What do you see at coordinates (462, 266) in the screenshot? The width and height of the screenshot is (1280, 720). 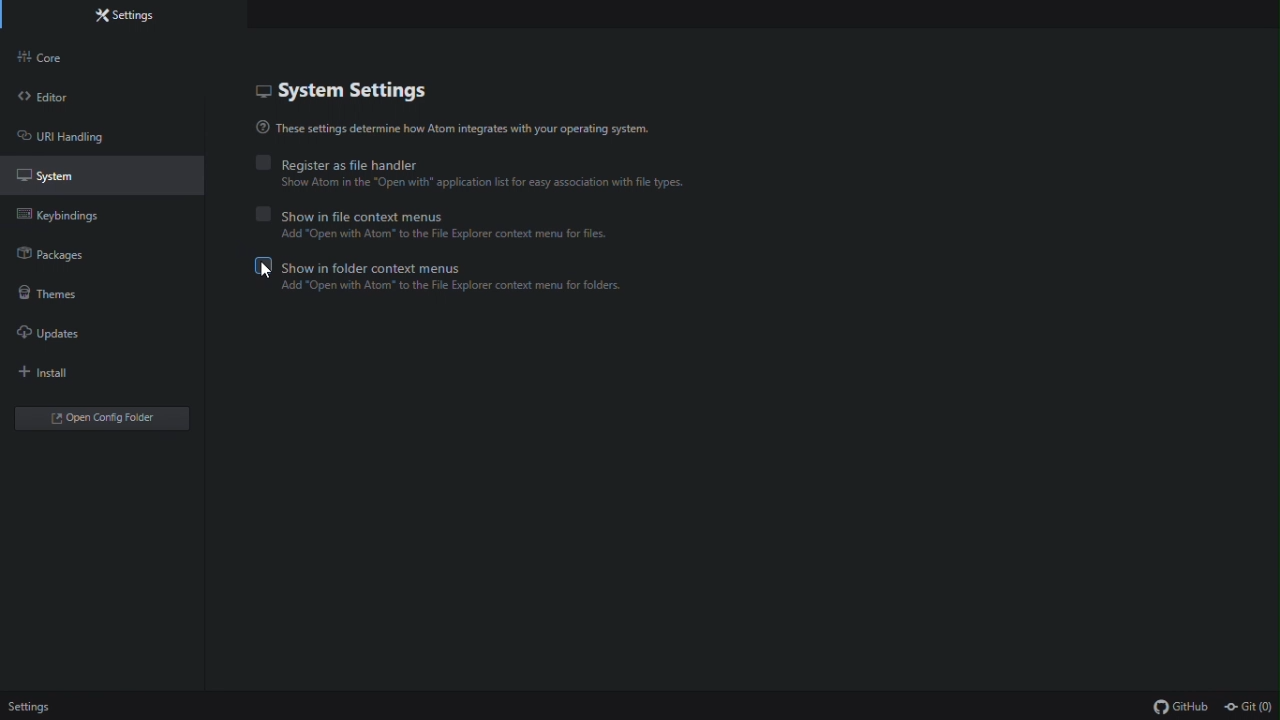 I see `Show in folder context menu` at bounding box center [462, 266].